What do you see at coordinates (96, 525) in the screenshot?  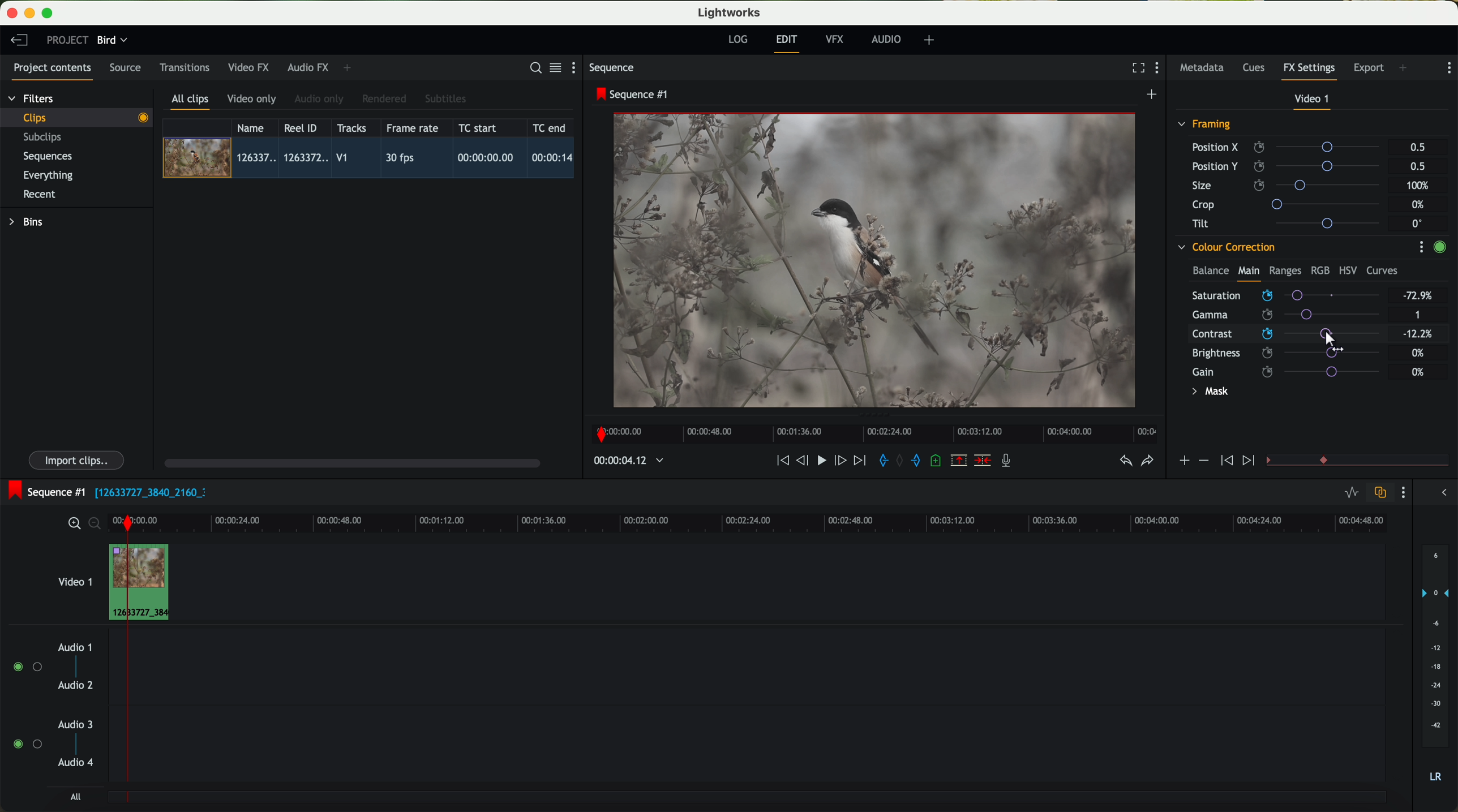 I see `zoom out` at bounding box center [96, 525].